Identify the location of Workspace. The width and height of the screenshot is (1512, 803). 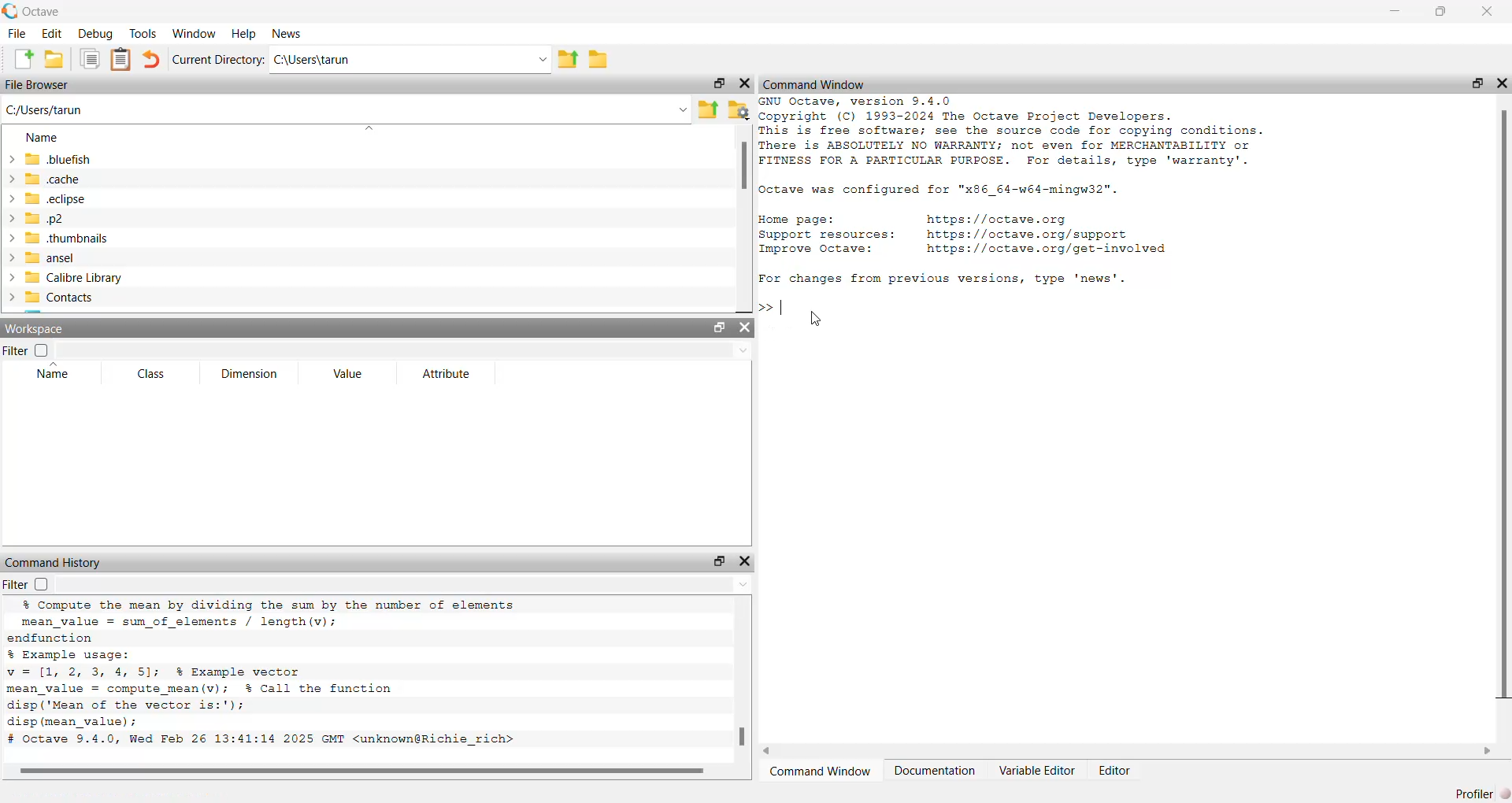
(35, 328).